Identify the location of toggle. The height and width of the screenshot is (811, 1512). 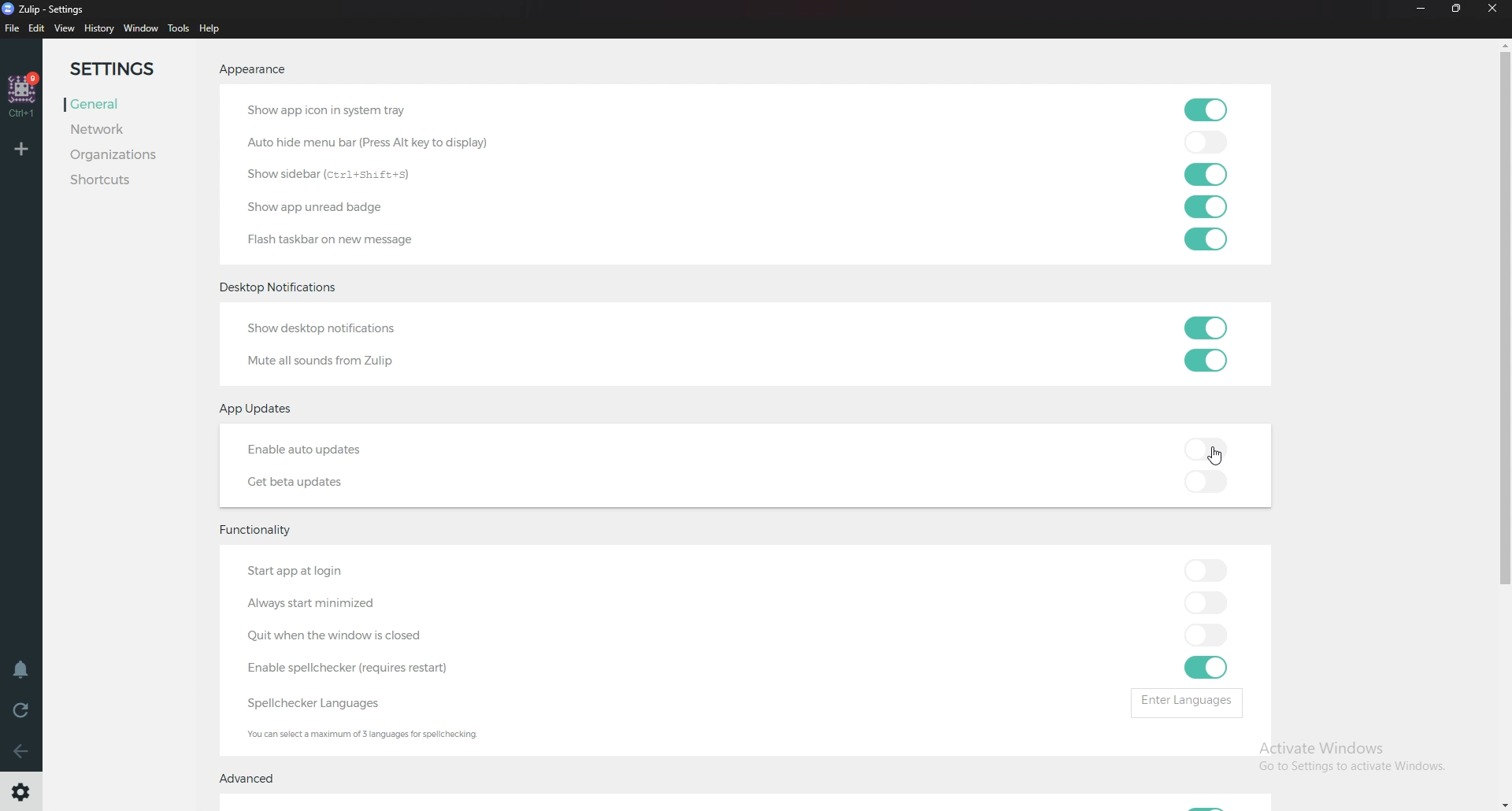
(1206, 668).